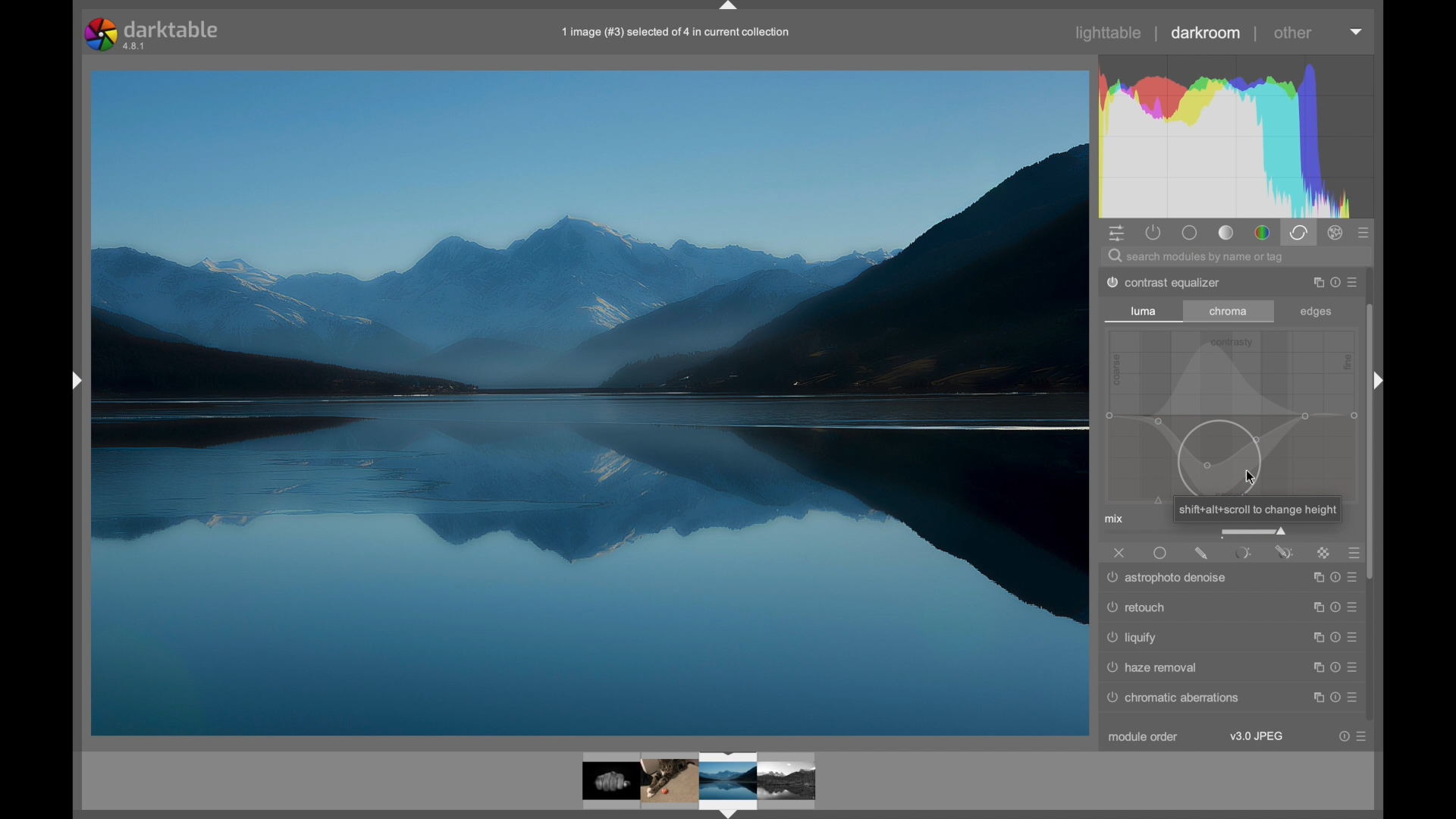 The width and height of the screenshot is (1456, 819). I want to click on dropdown, so click(1357, 32).